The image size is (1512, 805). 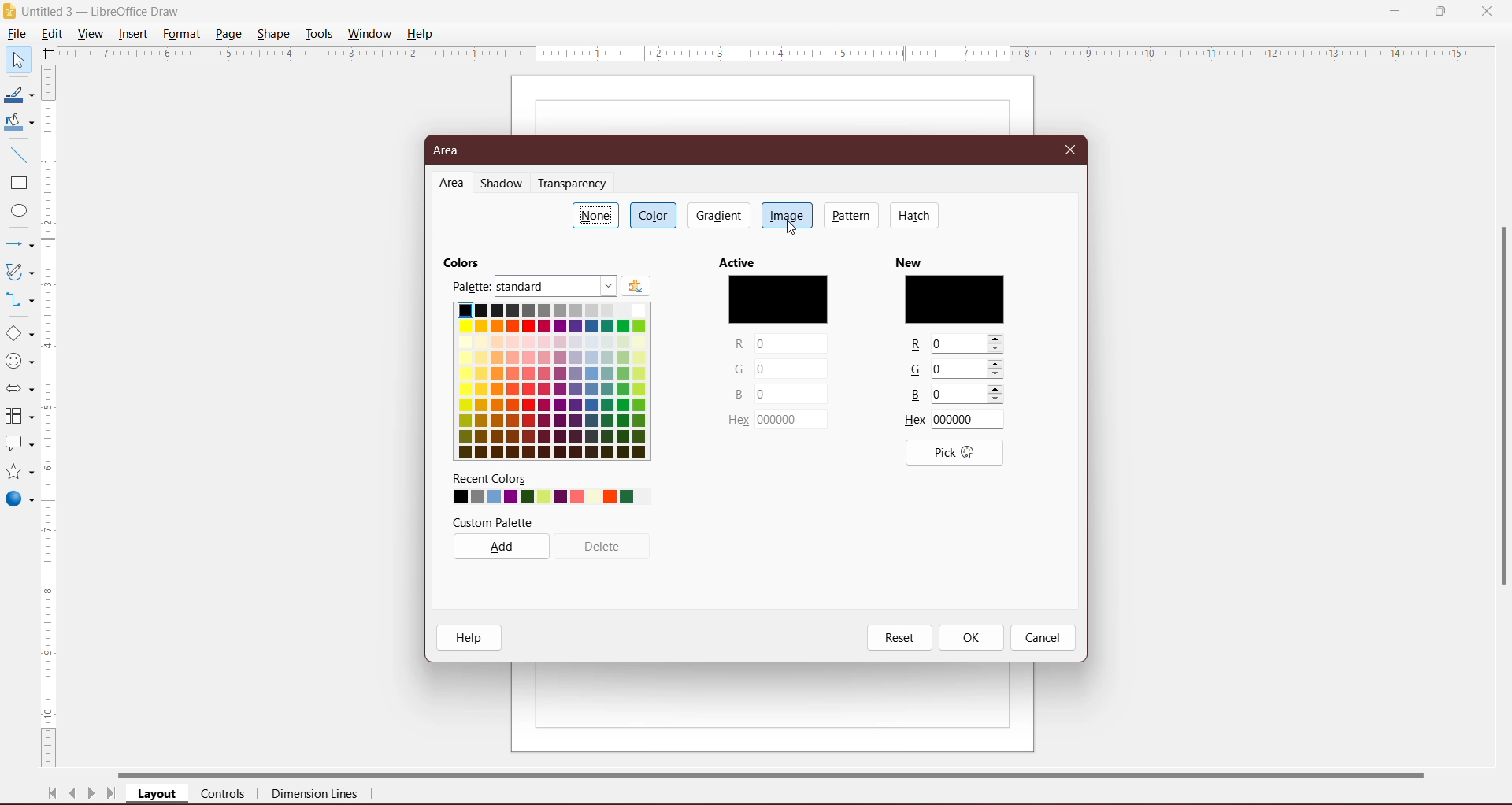 What do you see at coordinates (18, 473) in the screenshot?
I see `Stars and Banners` at bounding box center [18, 473].